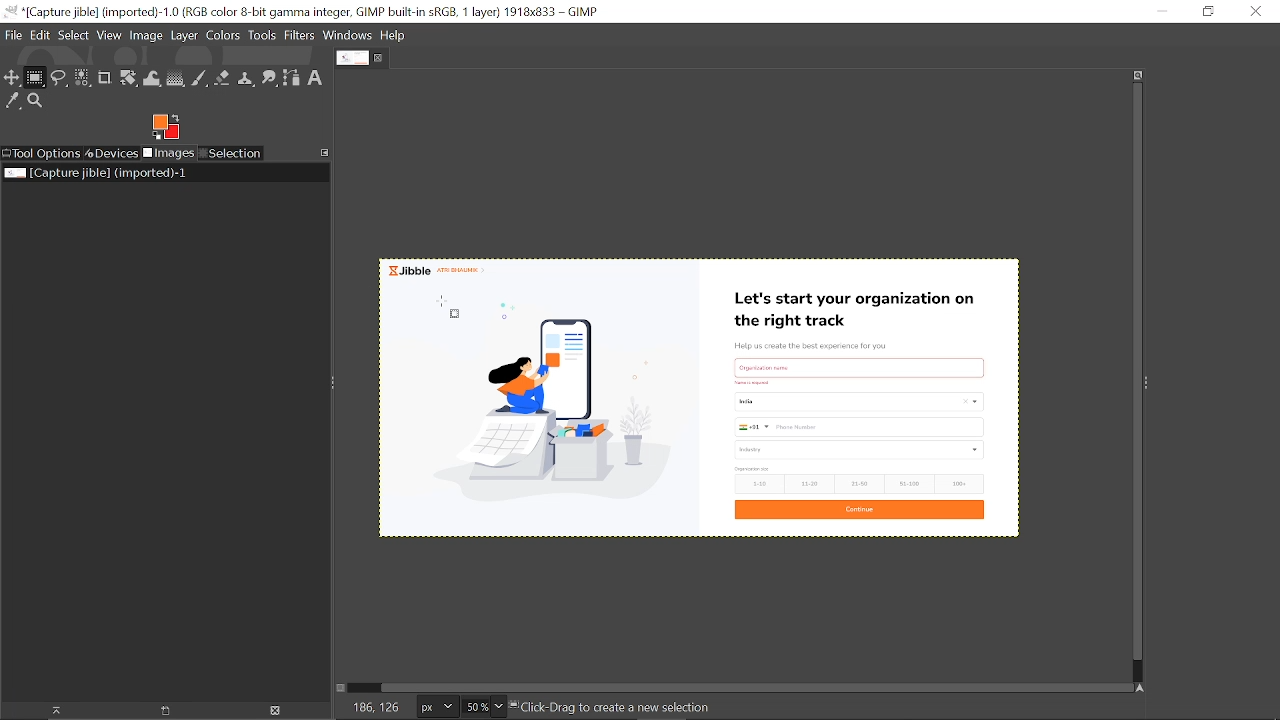  Describe the element at coordinates (369, 708) in the screenshot. I see `186, 126` at that location.